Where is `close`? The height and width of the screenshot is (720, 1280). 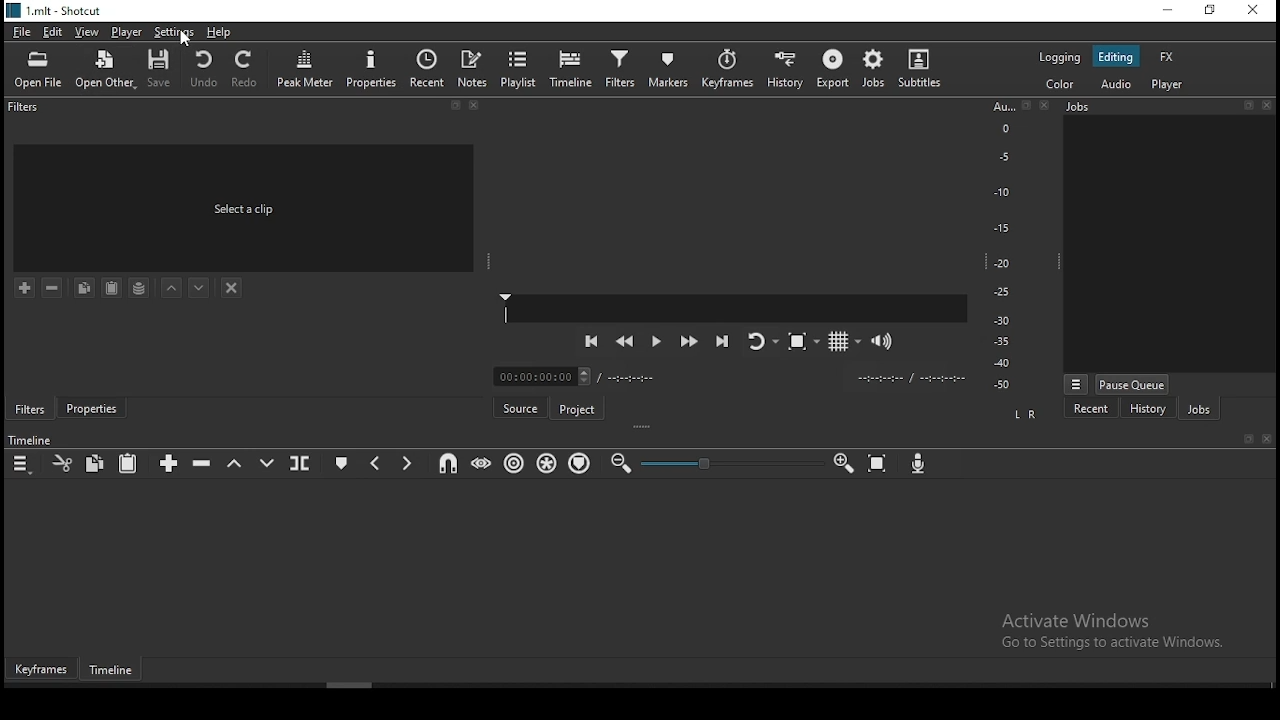
close is located at coordinates (478, 108).